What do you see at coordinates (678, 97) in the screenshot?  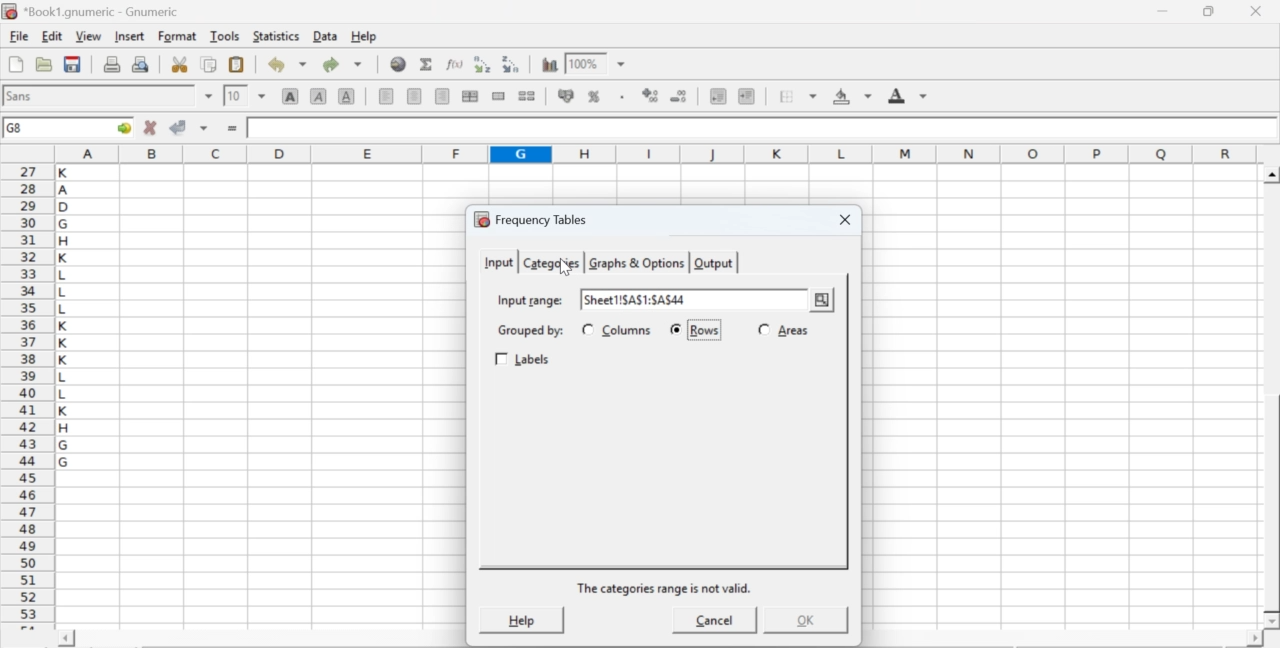 I see `decrease number of decimals displayed` at bounding box center [678, 97].